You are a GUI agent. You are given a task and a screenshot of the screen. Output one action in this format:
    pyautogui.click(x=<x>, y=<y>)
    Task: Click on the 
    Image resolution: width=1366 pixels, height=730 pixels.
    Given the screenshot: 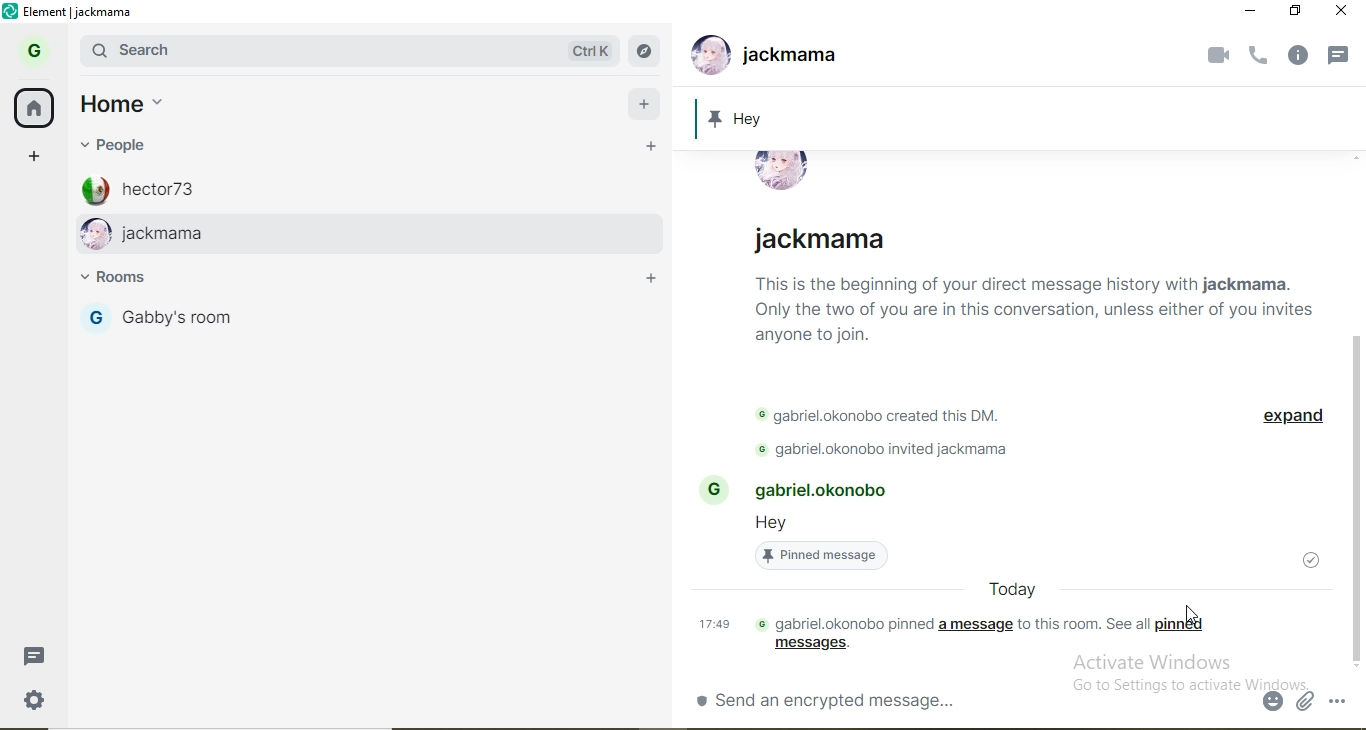 What is the action you would take?
    pyautogui.click(x=712, y=490)
    